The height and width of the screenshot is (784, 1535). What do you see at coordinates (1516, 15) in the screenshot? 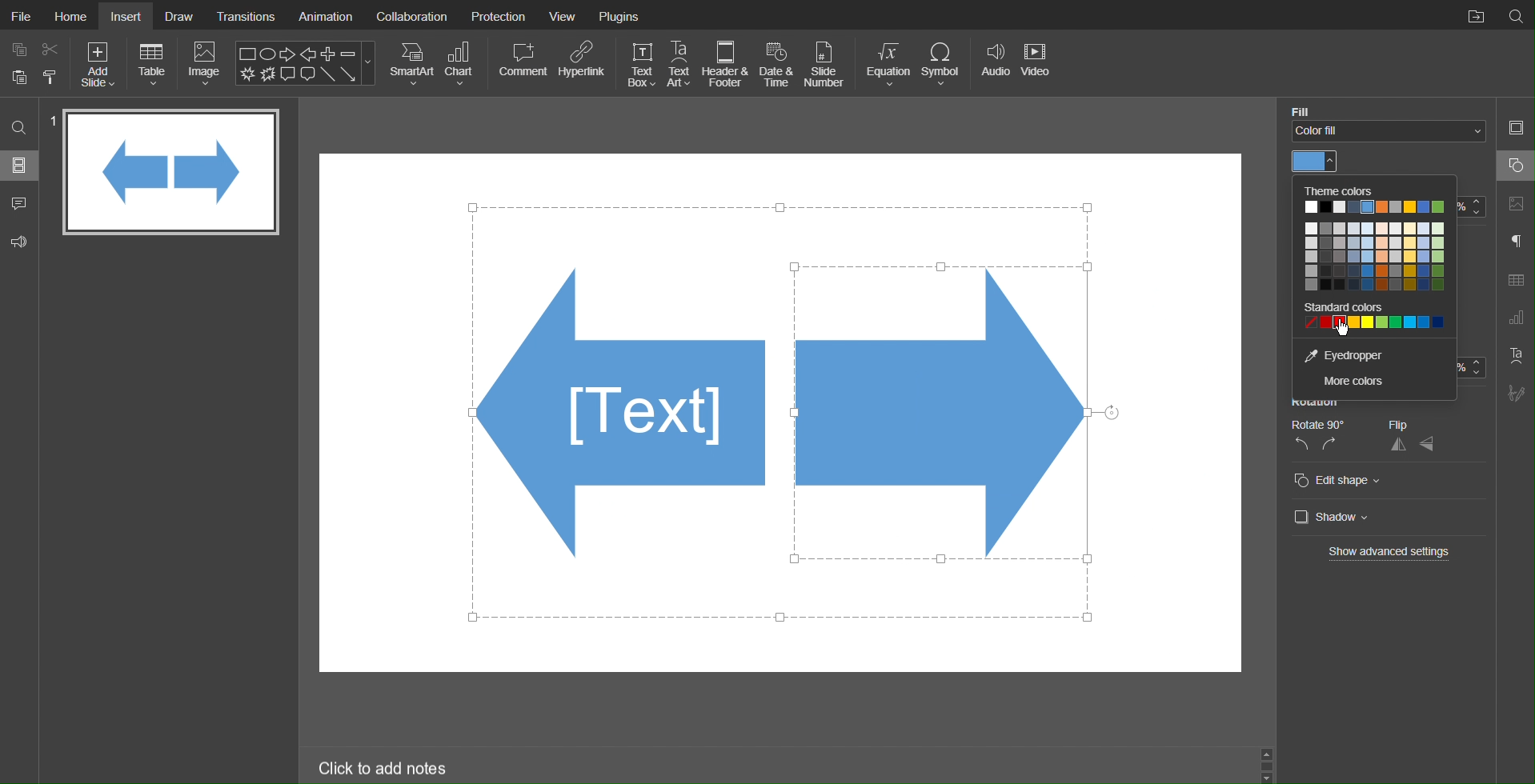
I see `Search` at bounding box center [1516, 15].